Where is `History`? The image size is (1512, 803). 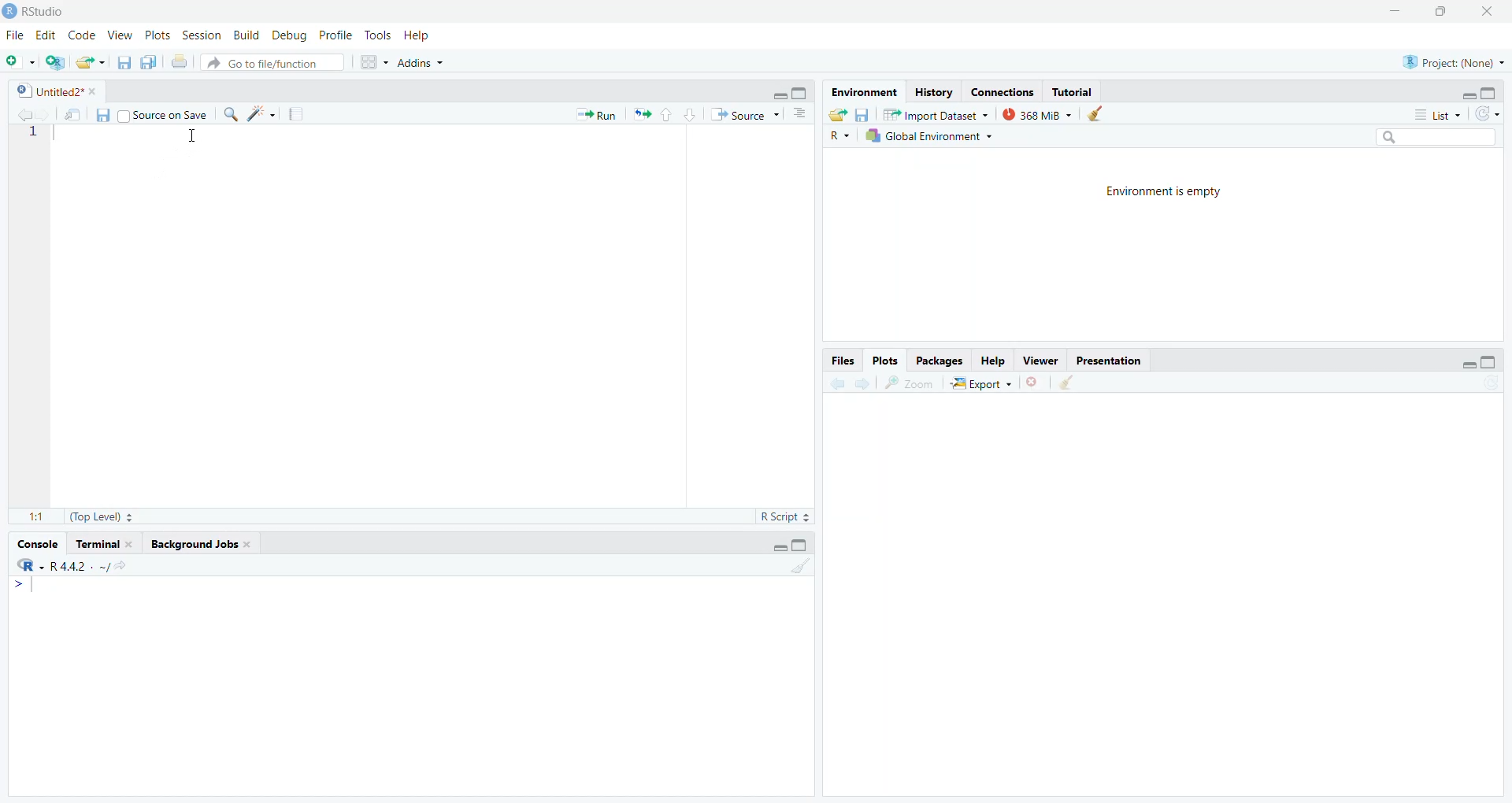
History is located at coordinates (936, 91).